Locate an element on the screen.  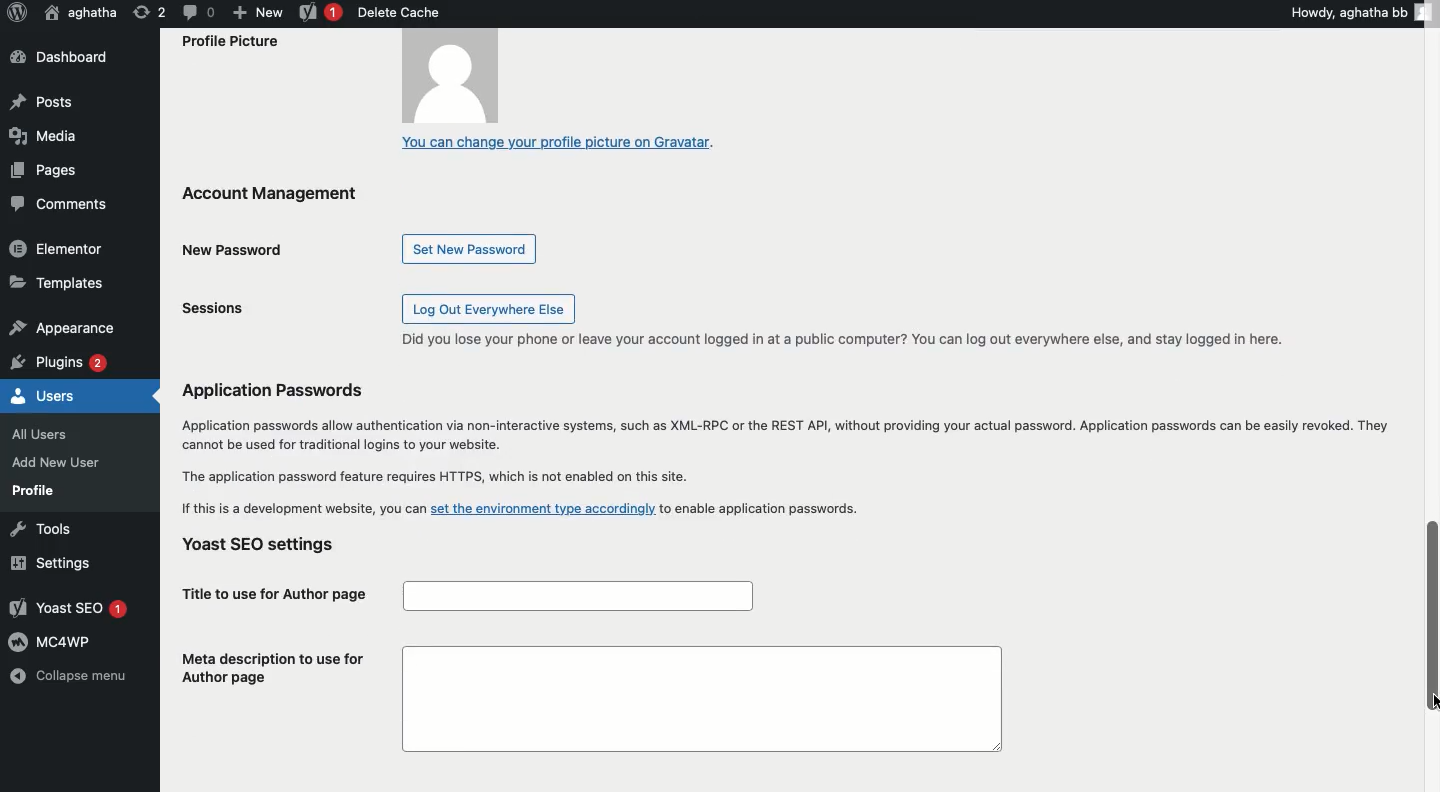
Collapse menu is located at coordinates (68, 678).